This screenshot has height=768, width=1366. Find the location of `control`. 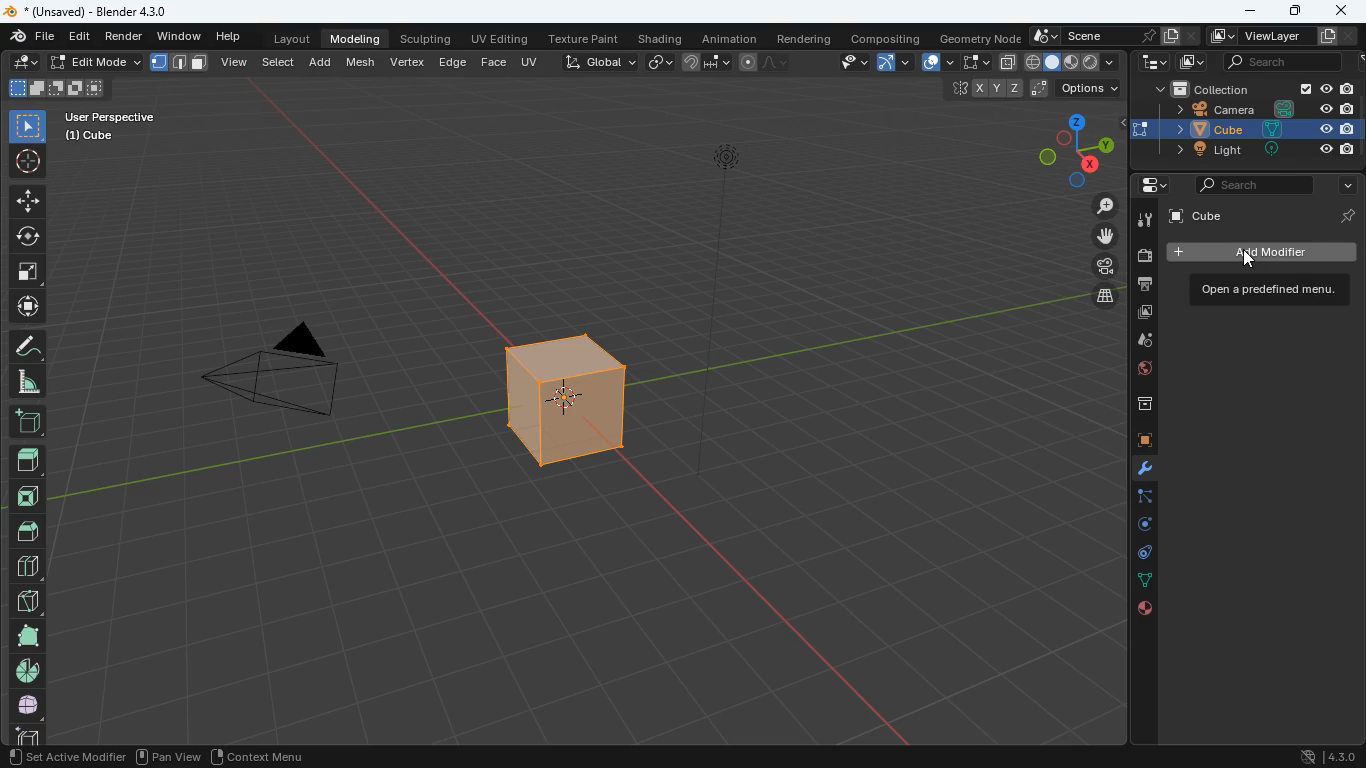

control is located at coordinates (1140, 554).